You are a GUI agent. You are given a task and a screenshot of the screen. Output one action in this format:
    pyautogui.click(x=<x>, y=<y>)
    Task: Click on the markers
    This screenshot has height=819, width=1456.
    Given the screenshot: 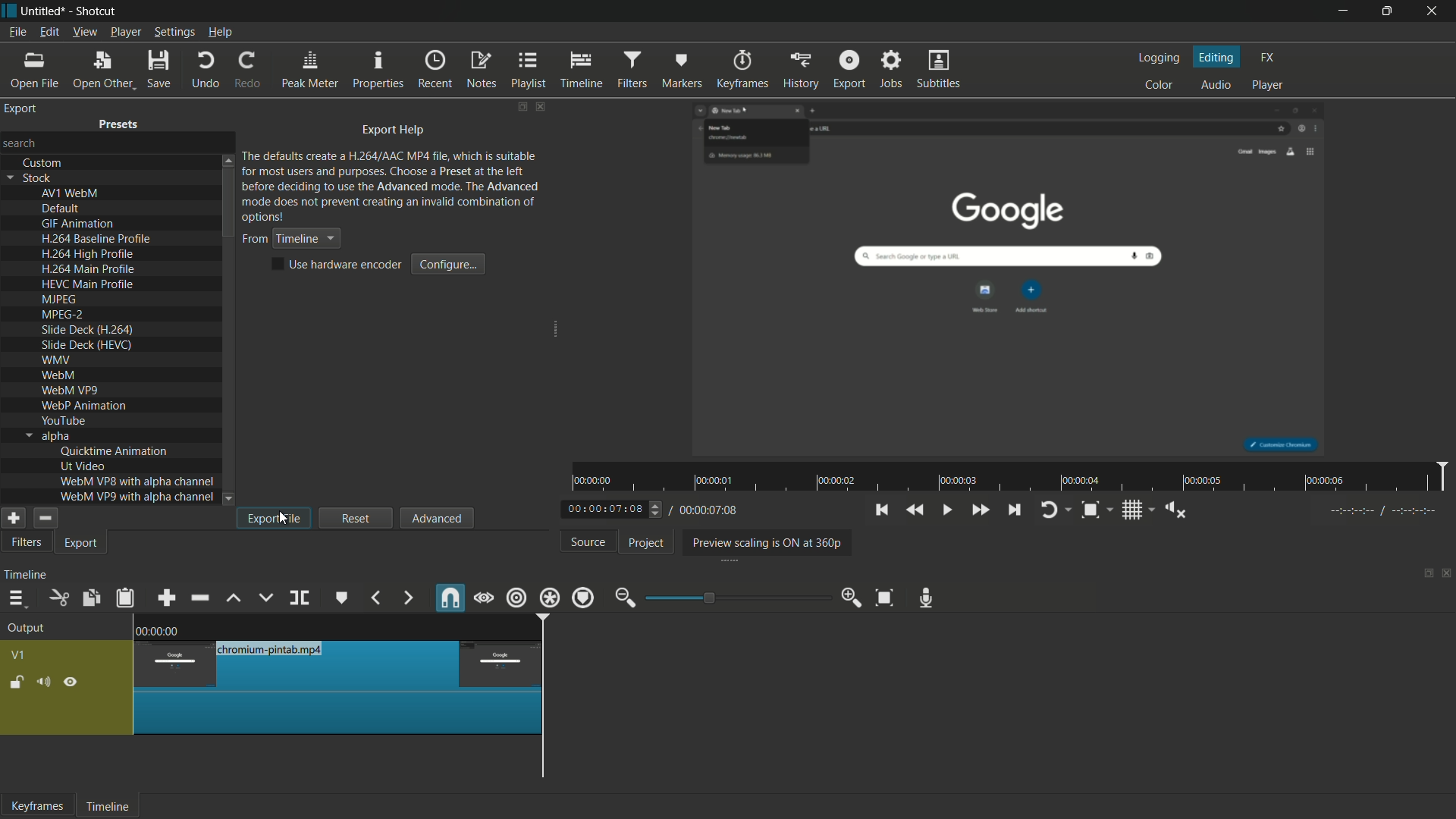 What is the action you would take?
    pyautogui.click(x=680, y=71)
    